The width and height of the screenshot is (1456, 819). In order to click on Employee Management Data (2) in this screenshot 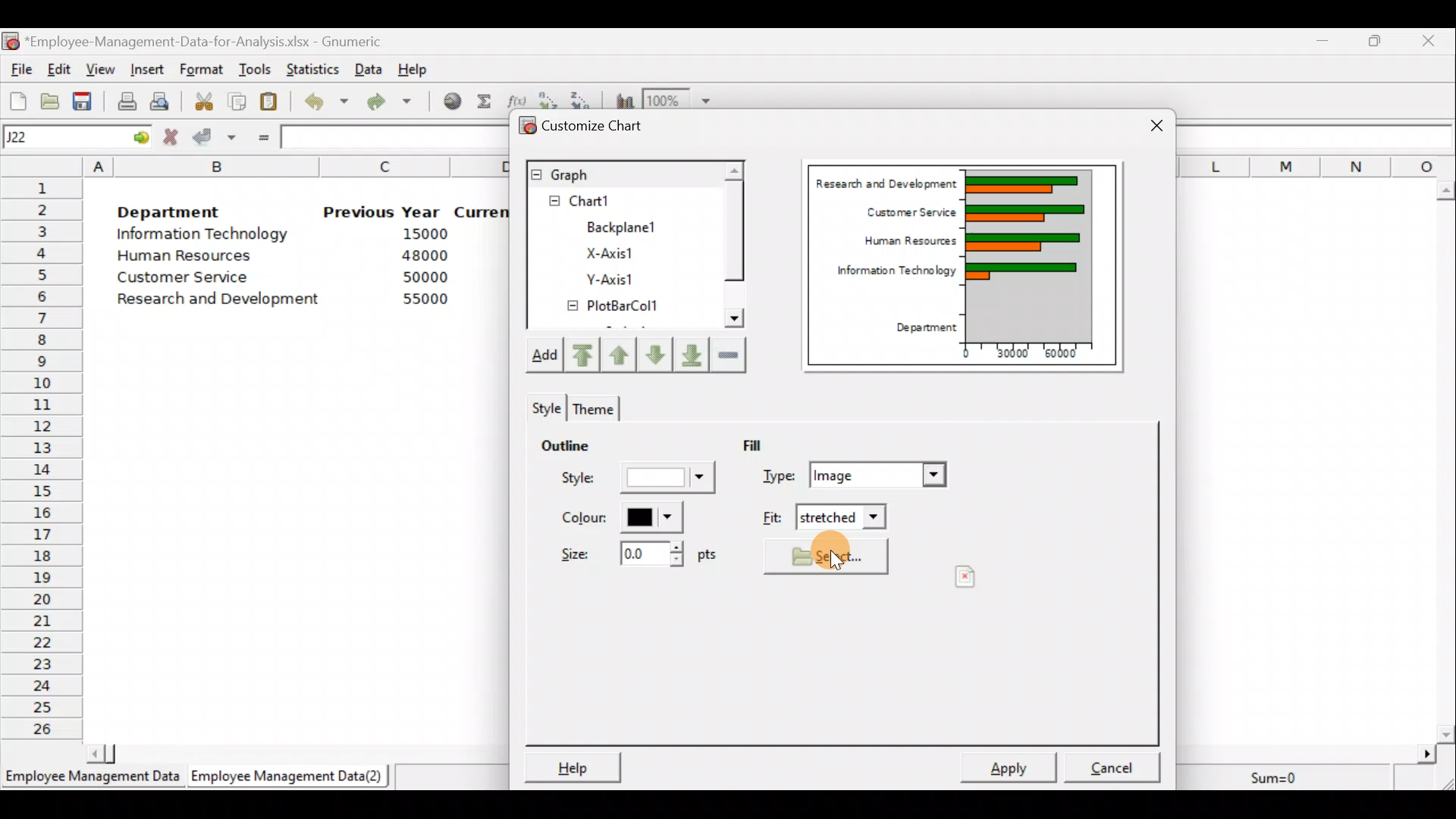, I will do `click(290, 777)`.